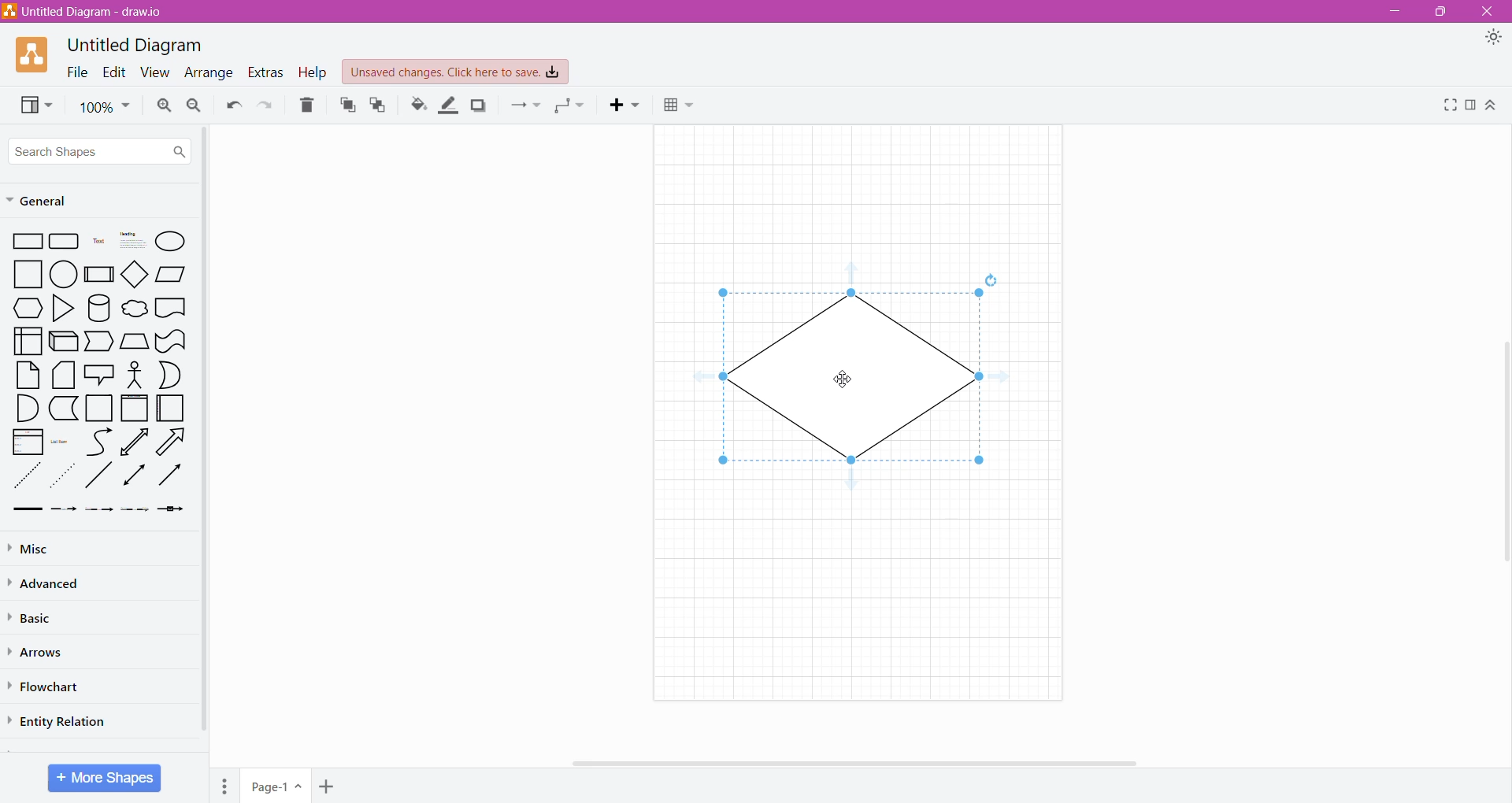  I want to click on To Back, so click(378, 105).